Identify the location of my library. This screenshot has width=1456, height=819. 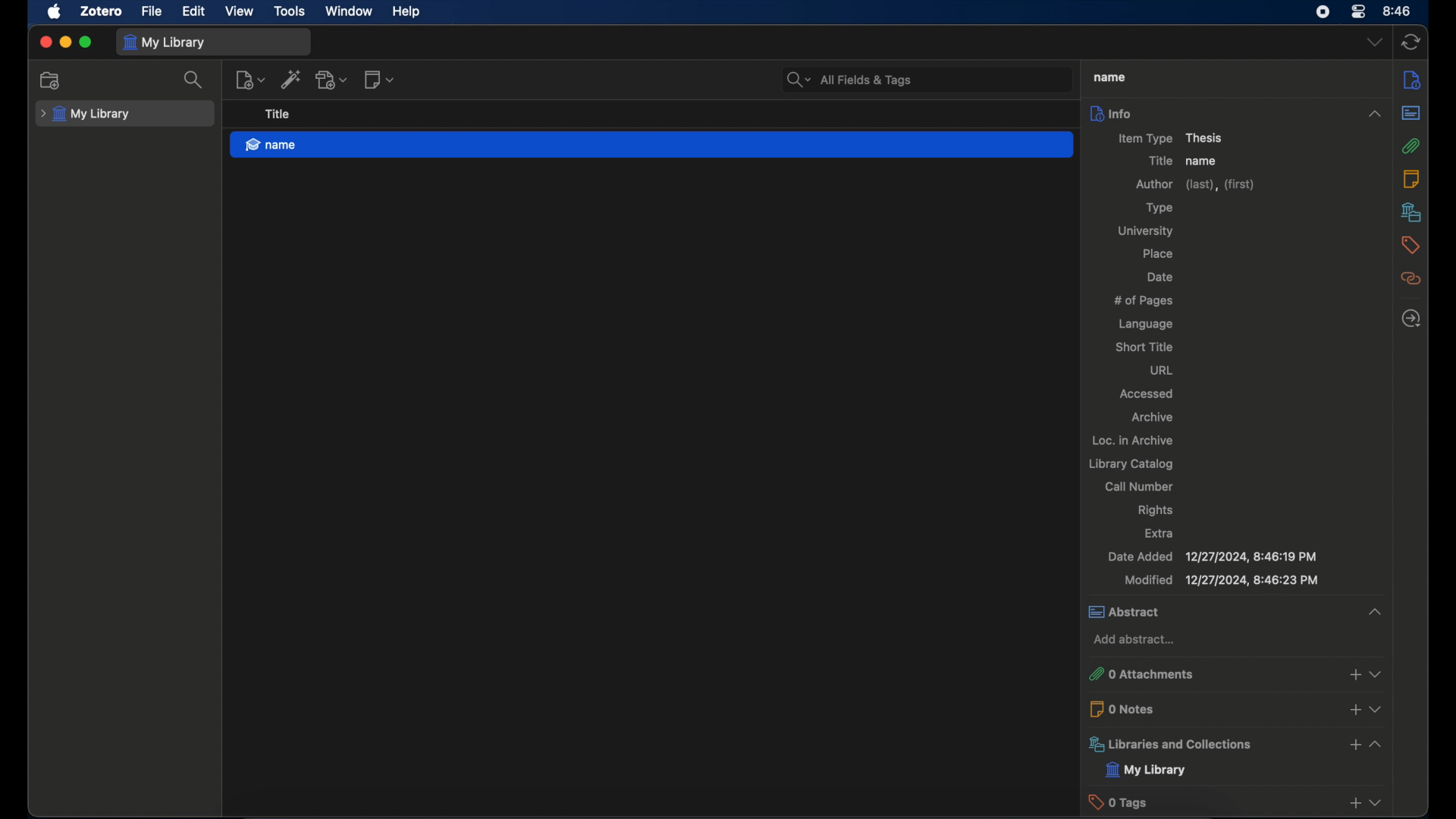
(1147, 770).